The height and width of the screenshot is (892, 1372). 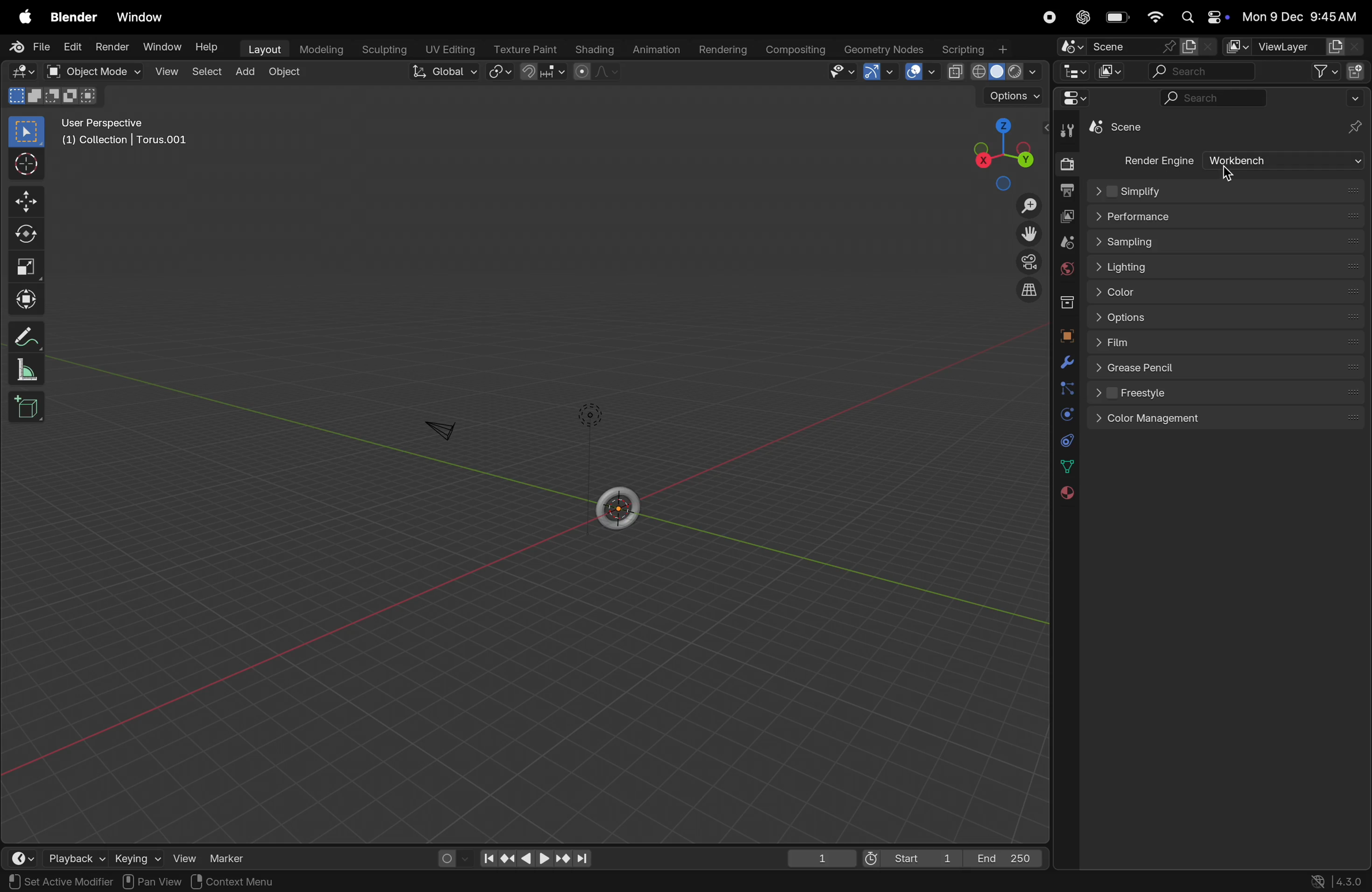 I want to click on Annotate, so click(x=28, y=336).